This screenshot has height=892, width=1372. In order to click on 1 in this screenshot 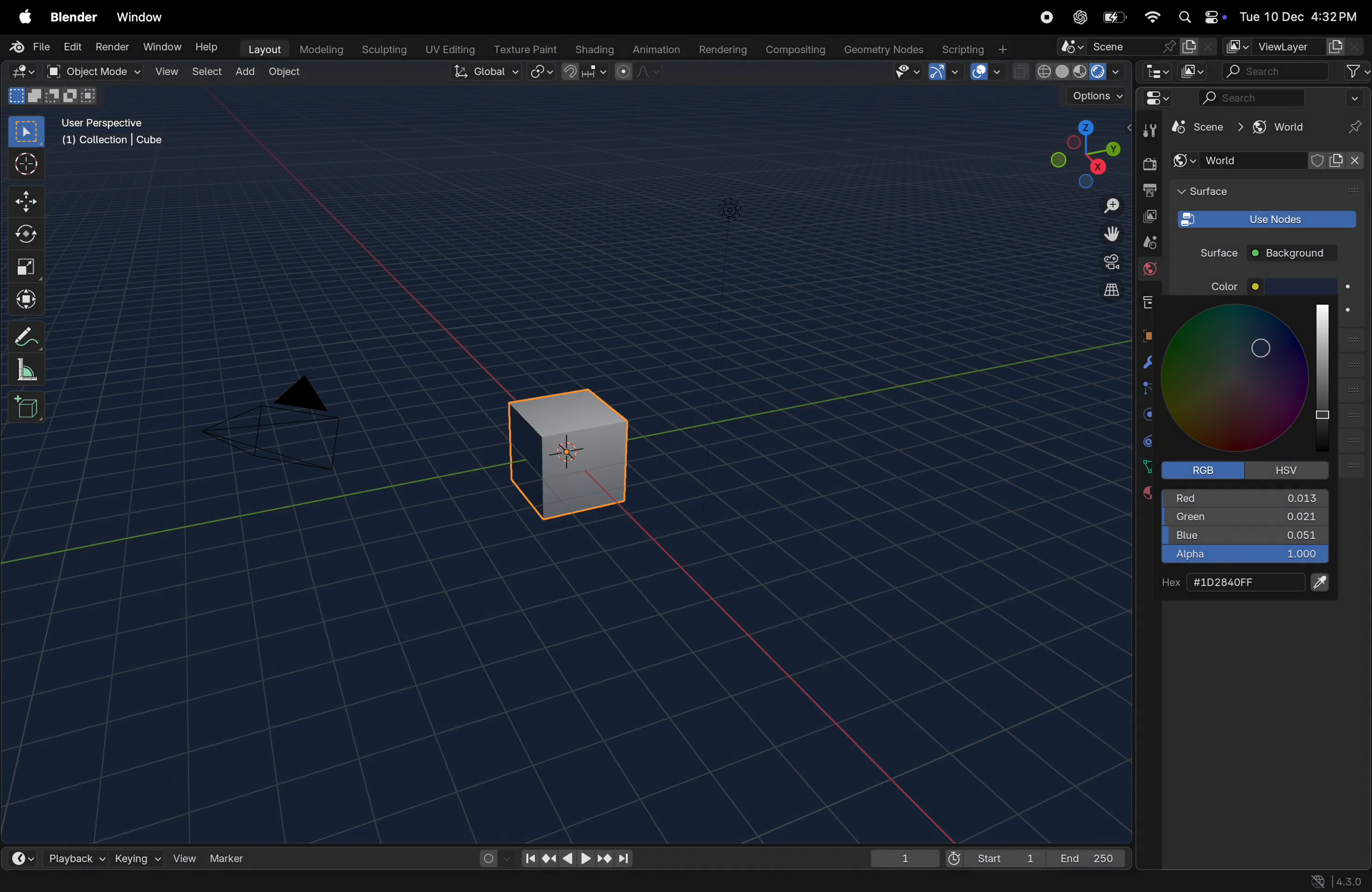, I will do `click(904, 856)`.